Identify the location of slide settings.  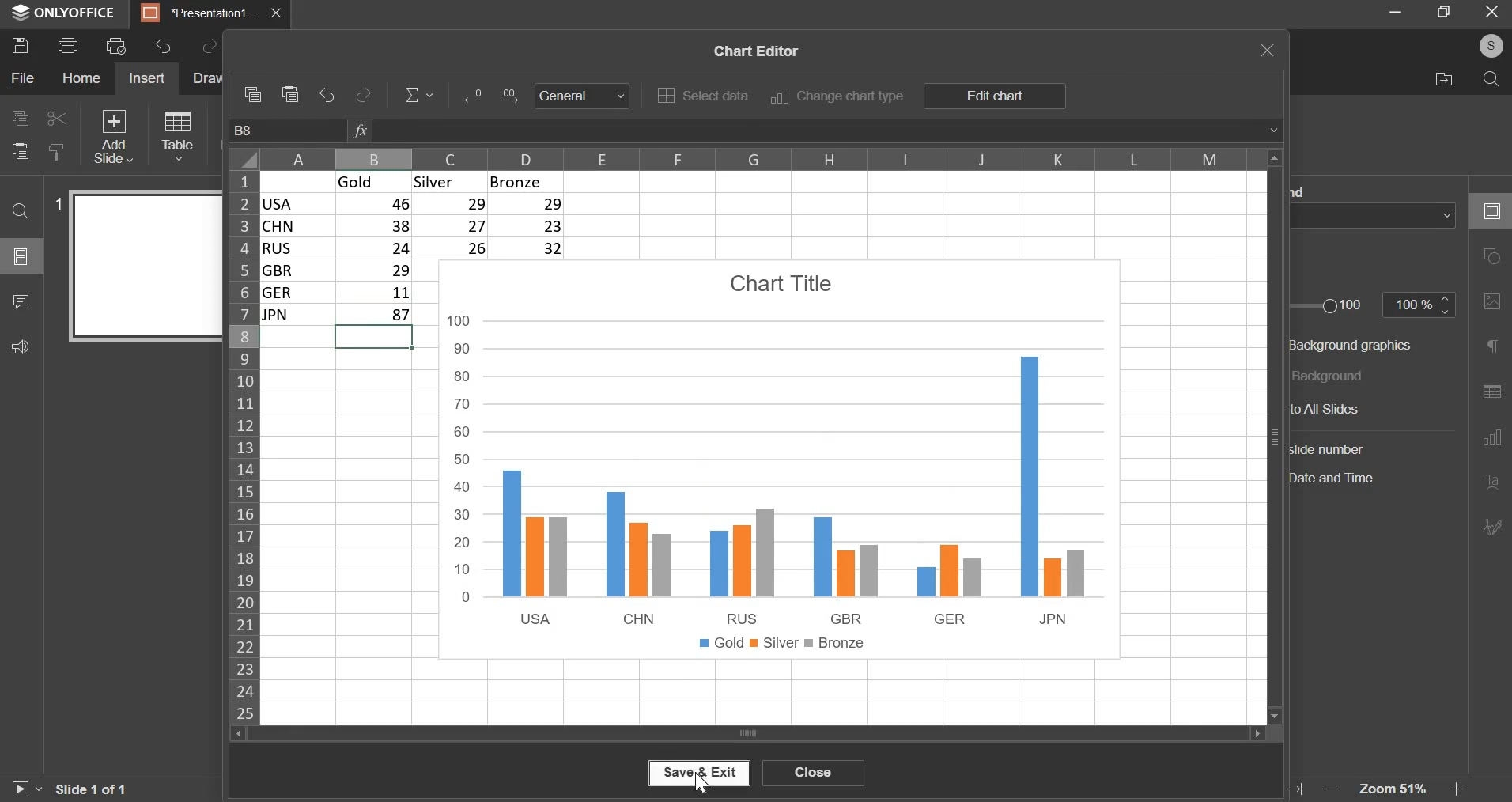
(1489, 208).